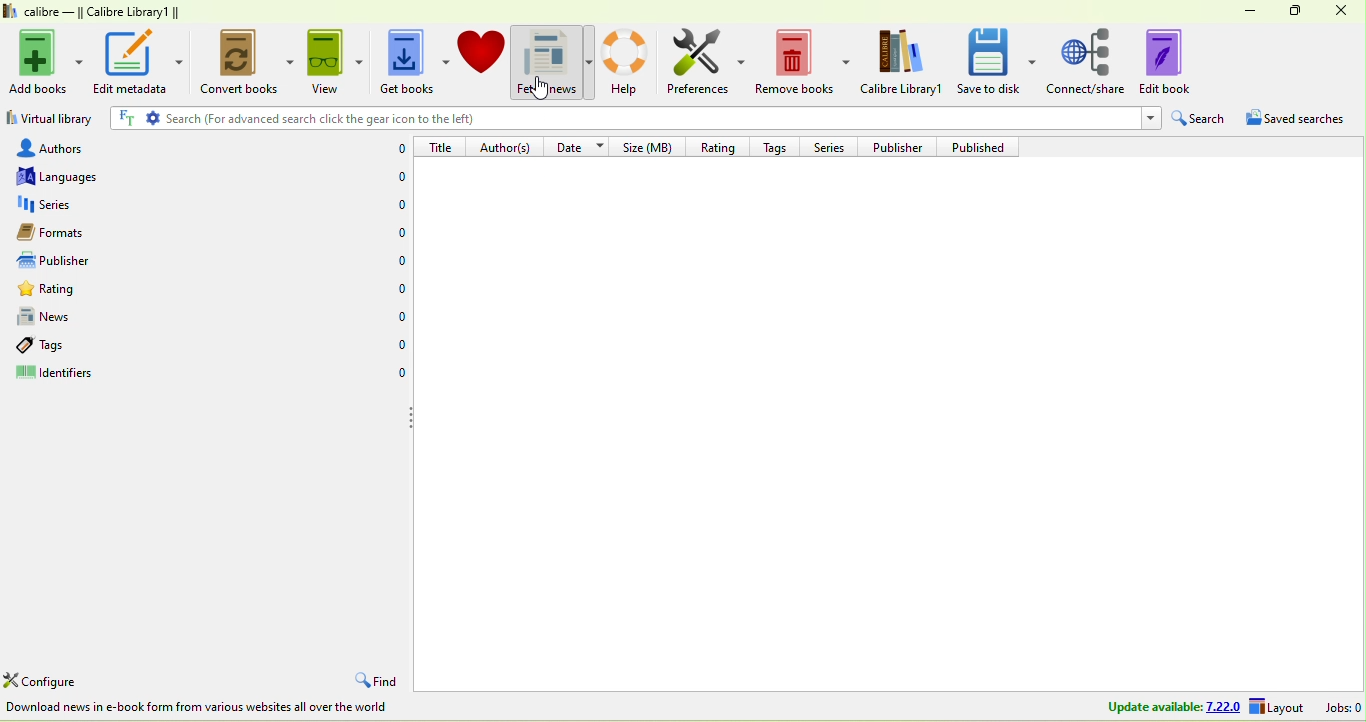 This screenshot has height=722, width=1366. Describe the element at coordinates (695, 60) in the screenshot. I see `preference` at that location.